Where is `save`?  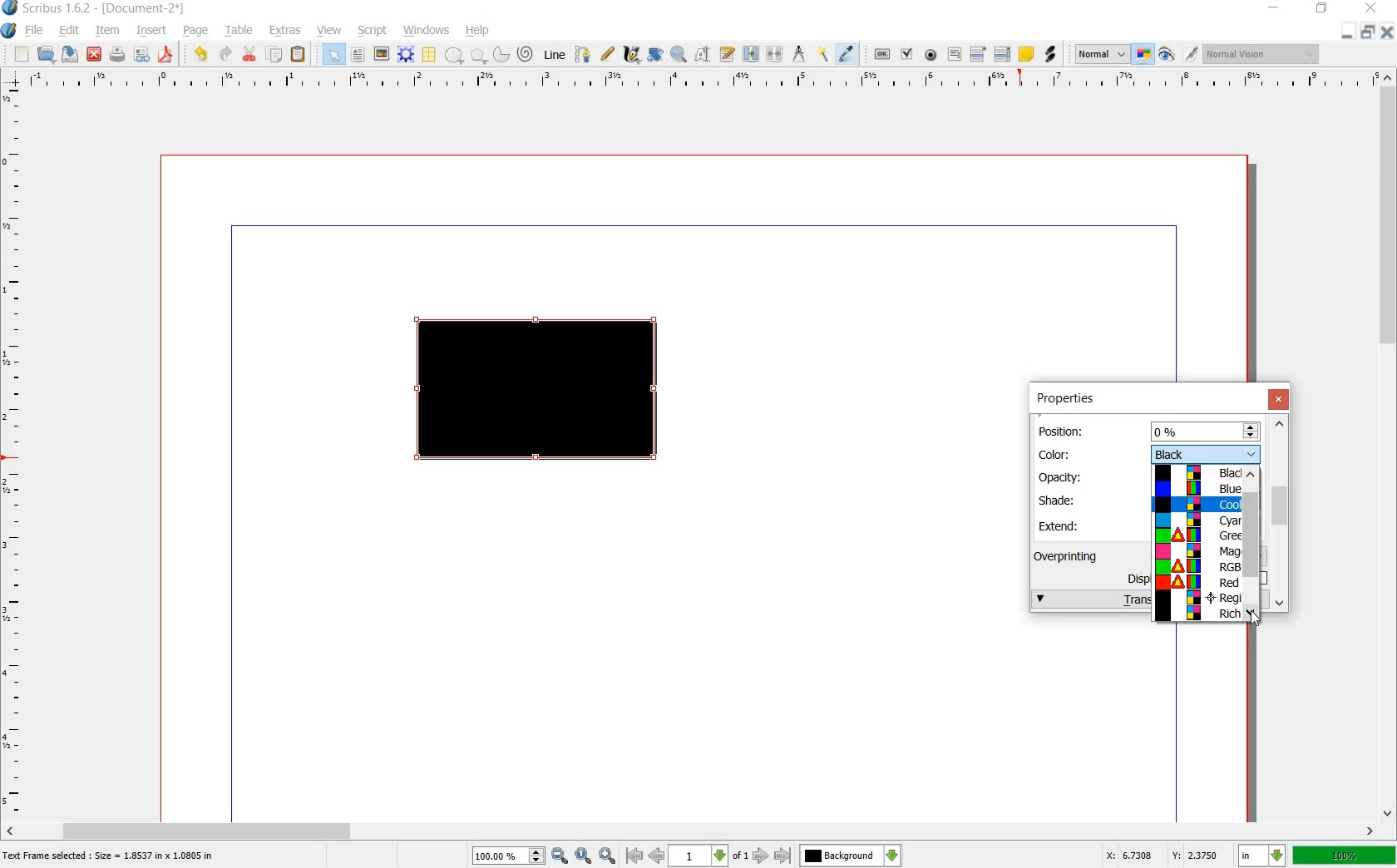
save is located at coordinates (72, 54).